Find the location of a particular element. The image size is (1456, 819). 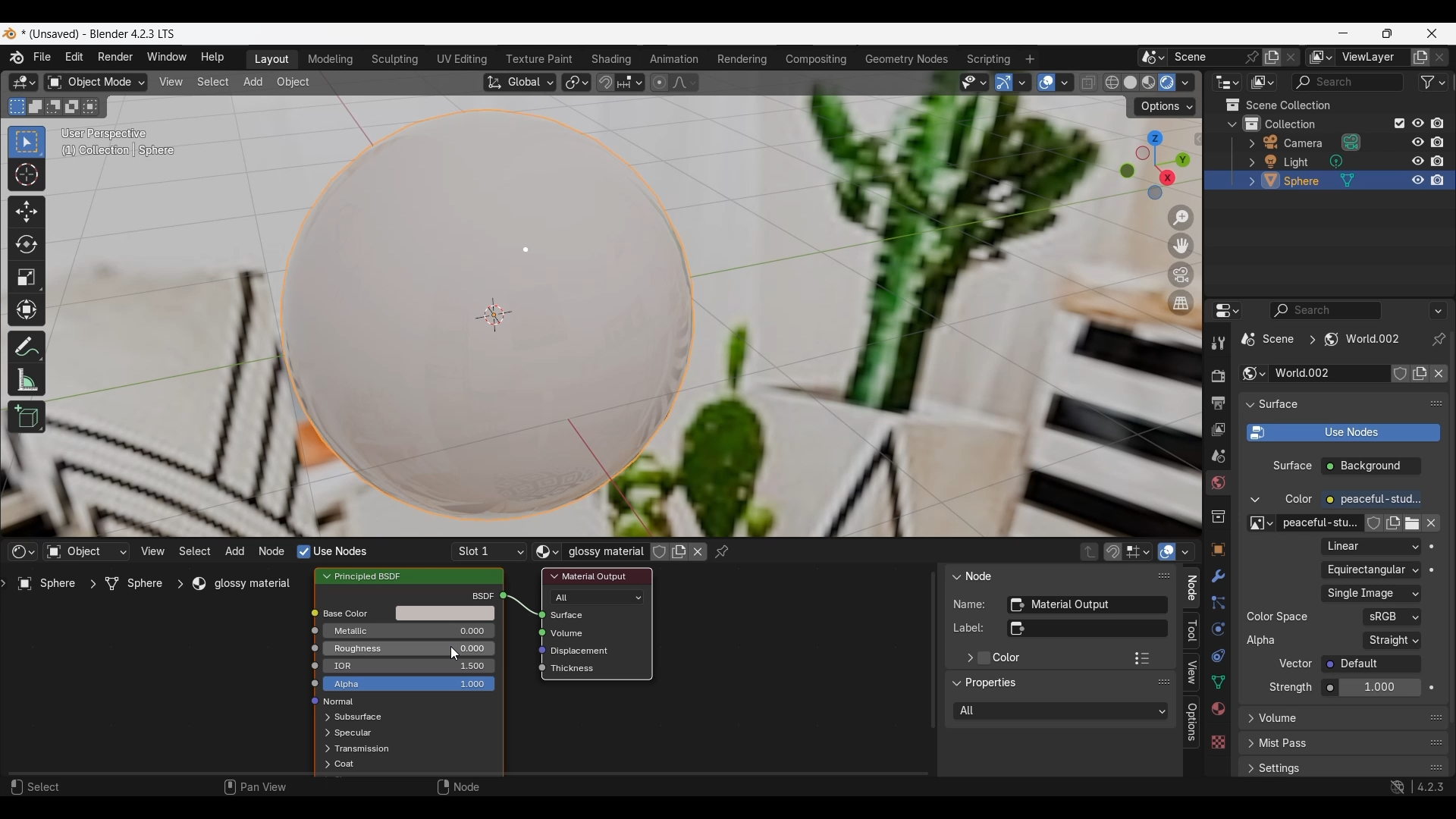

Edit light is located at coordinates (1271, 161).